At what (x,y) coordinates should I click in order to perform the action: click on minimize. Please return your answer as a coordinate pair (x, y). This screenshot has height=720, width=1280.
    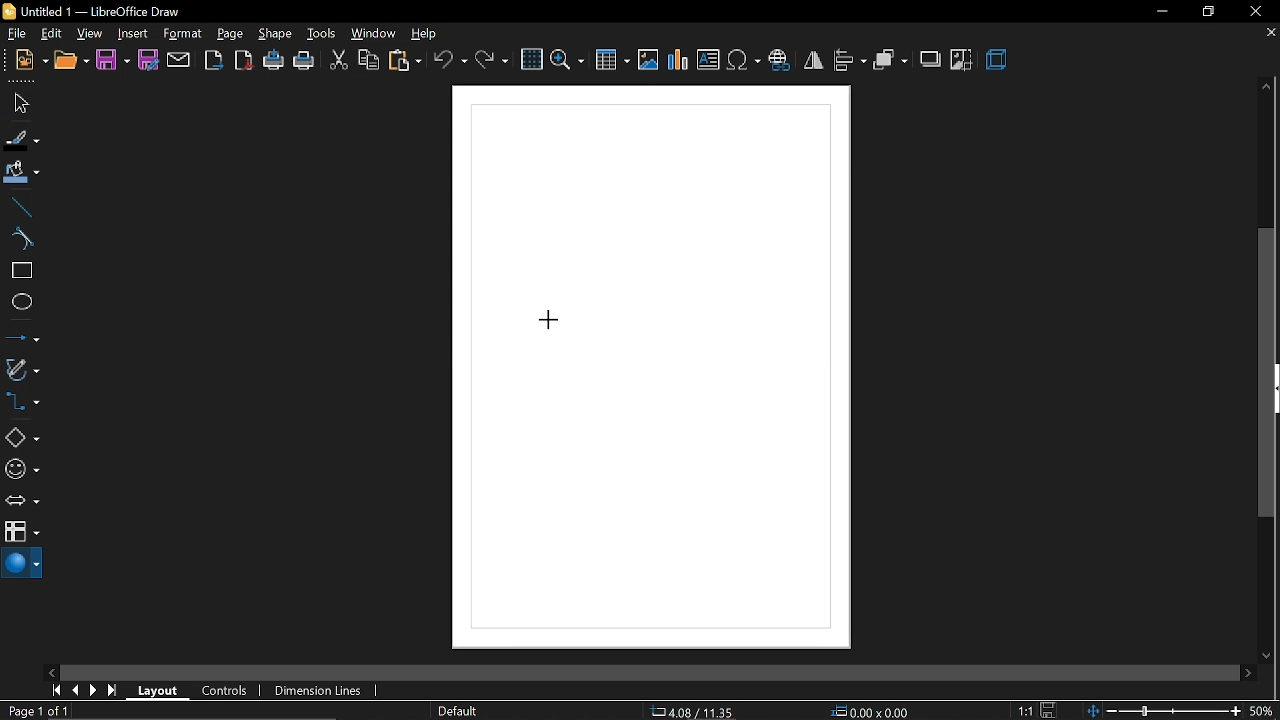
    Looking at the image, I should click on (1159, 12).